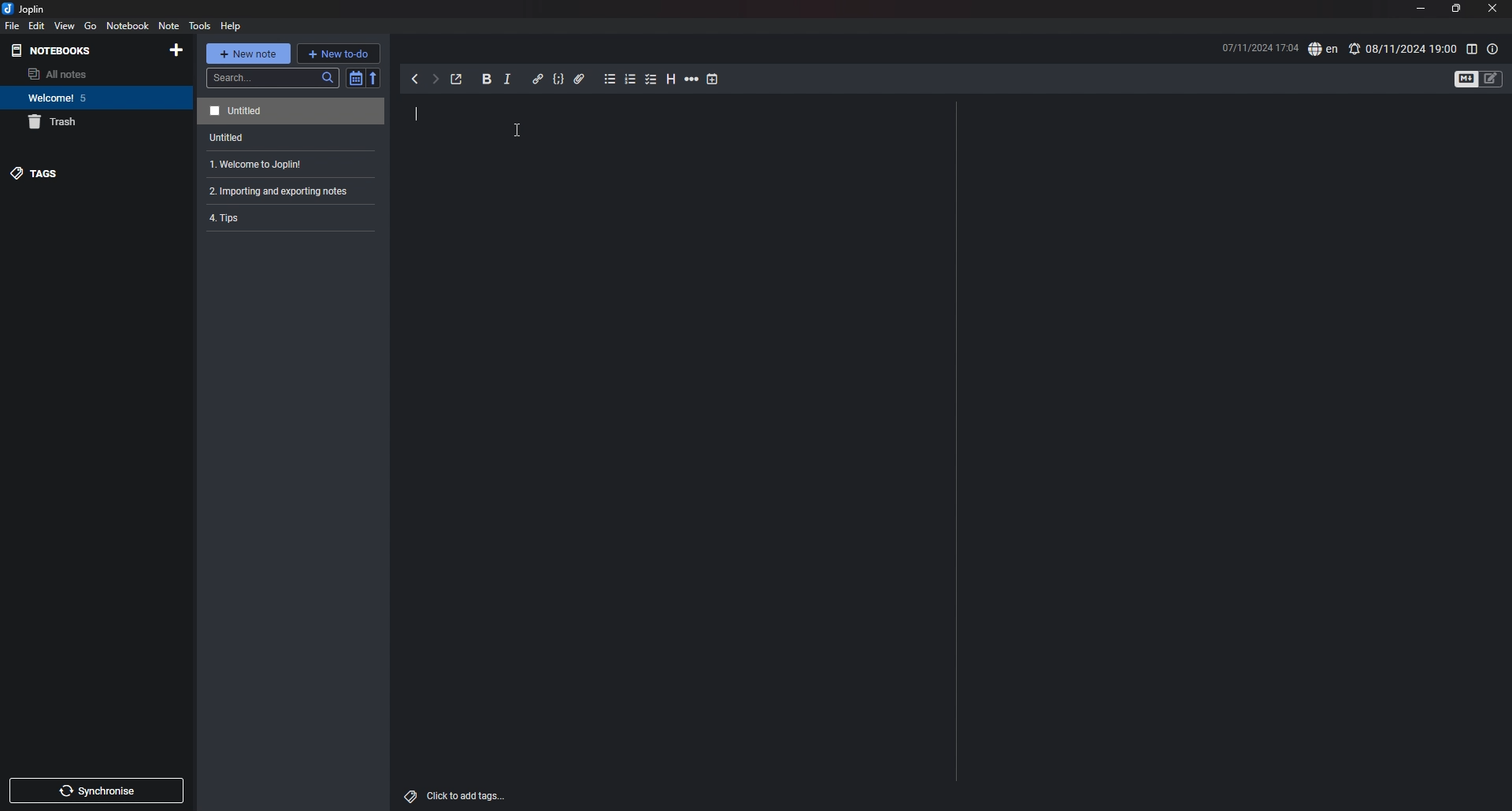 Image resolution: width=1512 pixels, height=811 pixels. I want to click on toggle editor layout, so click(1472, 49).